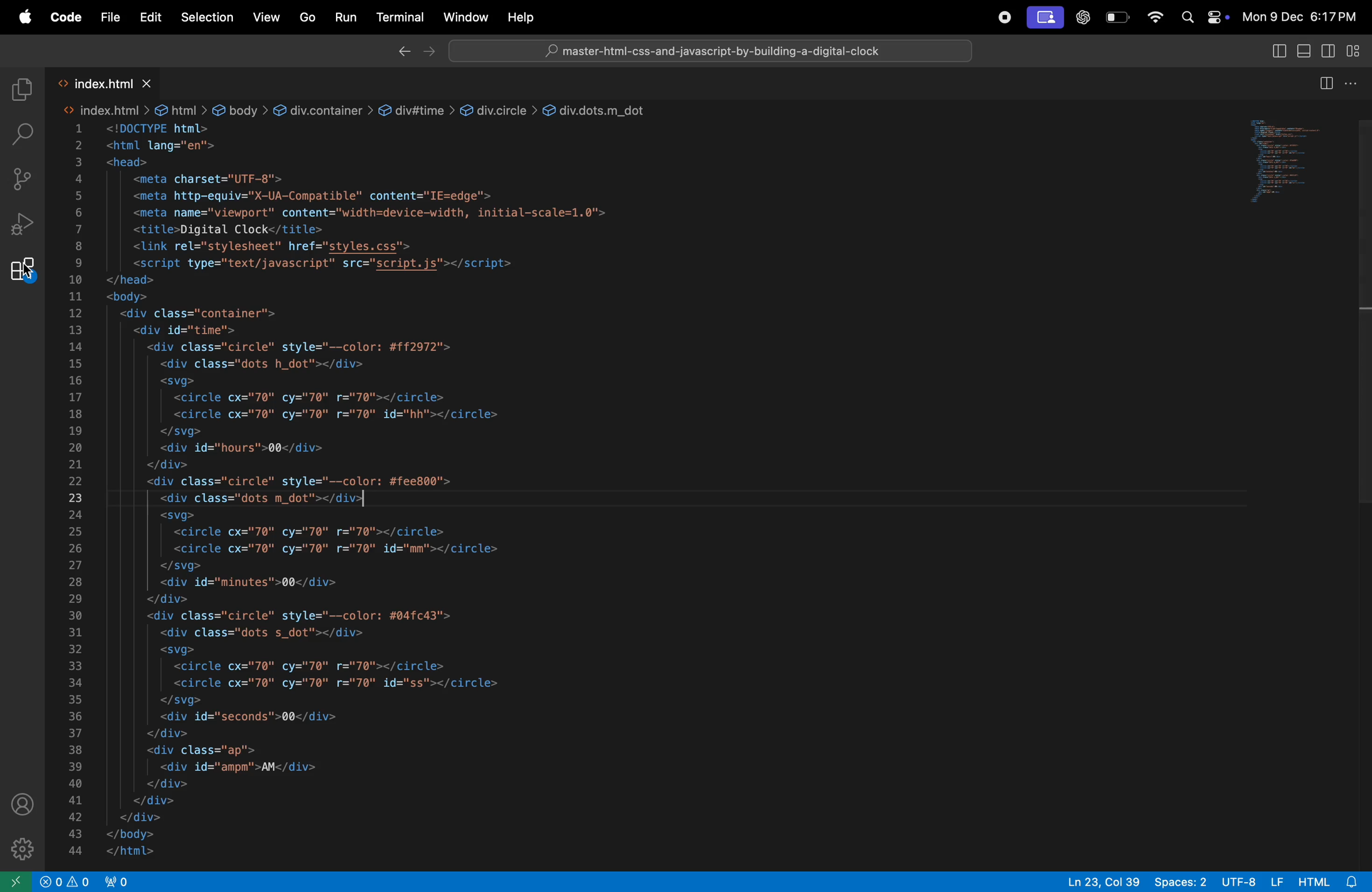 Image resolution: width=1372 pixels, height=892 pixels. I want to click on View, so click(268, 17).